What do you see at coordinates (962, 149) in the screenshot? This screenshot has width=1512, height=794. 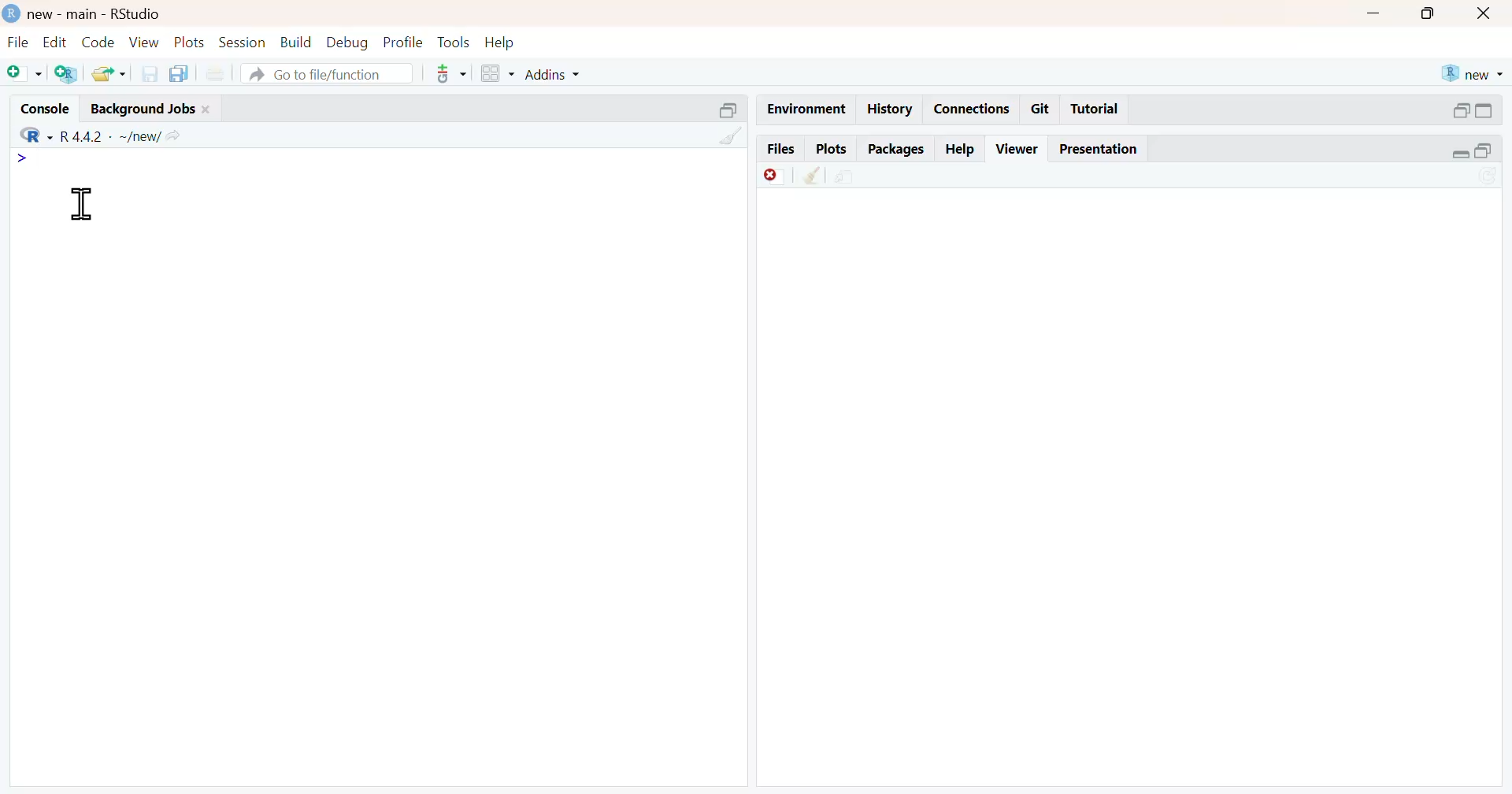 I see `help` at bounding box center [962, 149].